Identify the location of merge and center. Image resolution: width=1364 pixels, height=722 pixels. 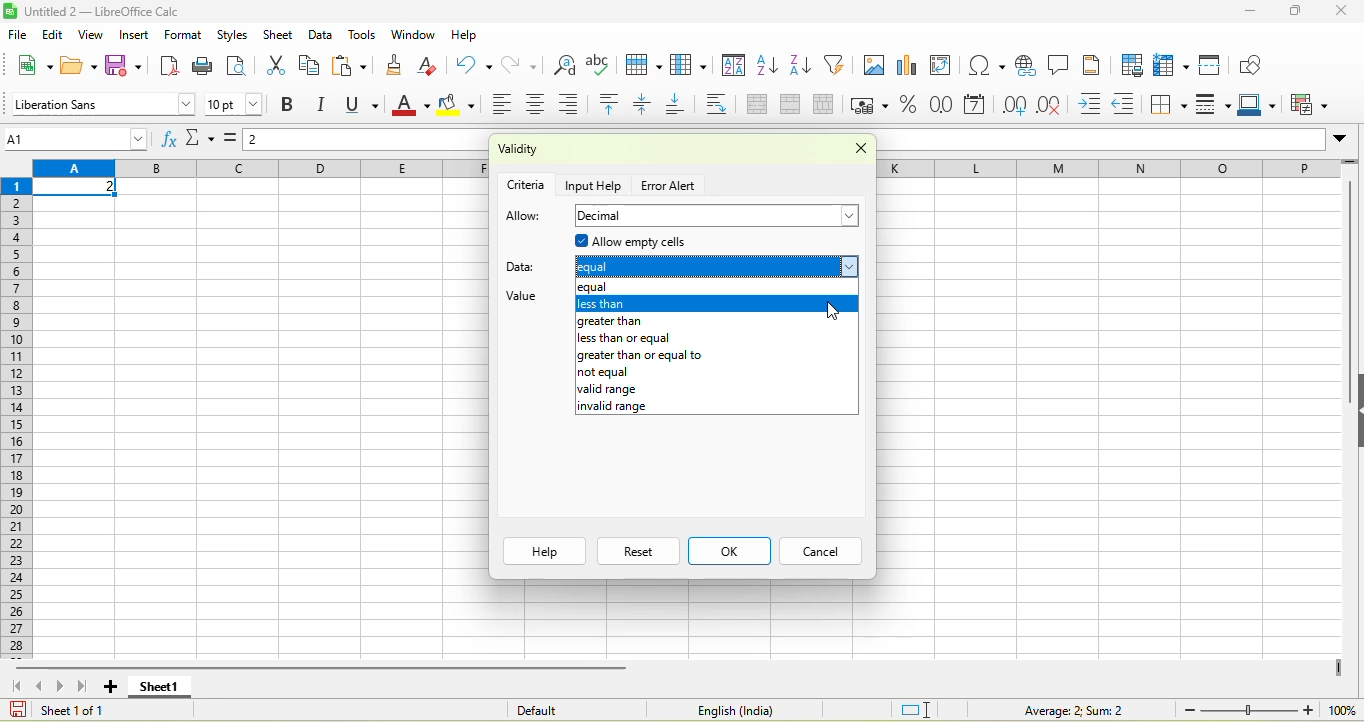
(757, 106).